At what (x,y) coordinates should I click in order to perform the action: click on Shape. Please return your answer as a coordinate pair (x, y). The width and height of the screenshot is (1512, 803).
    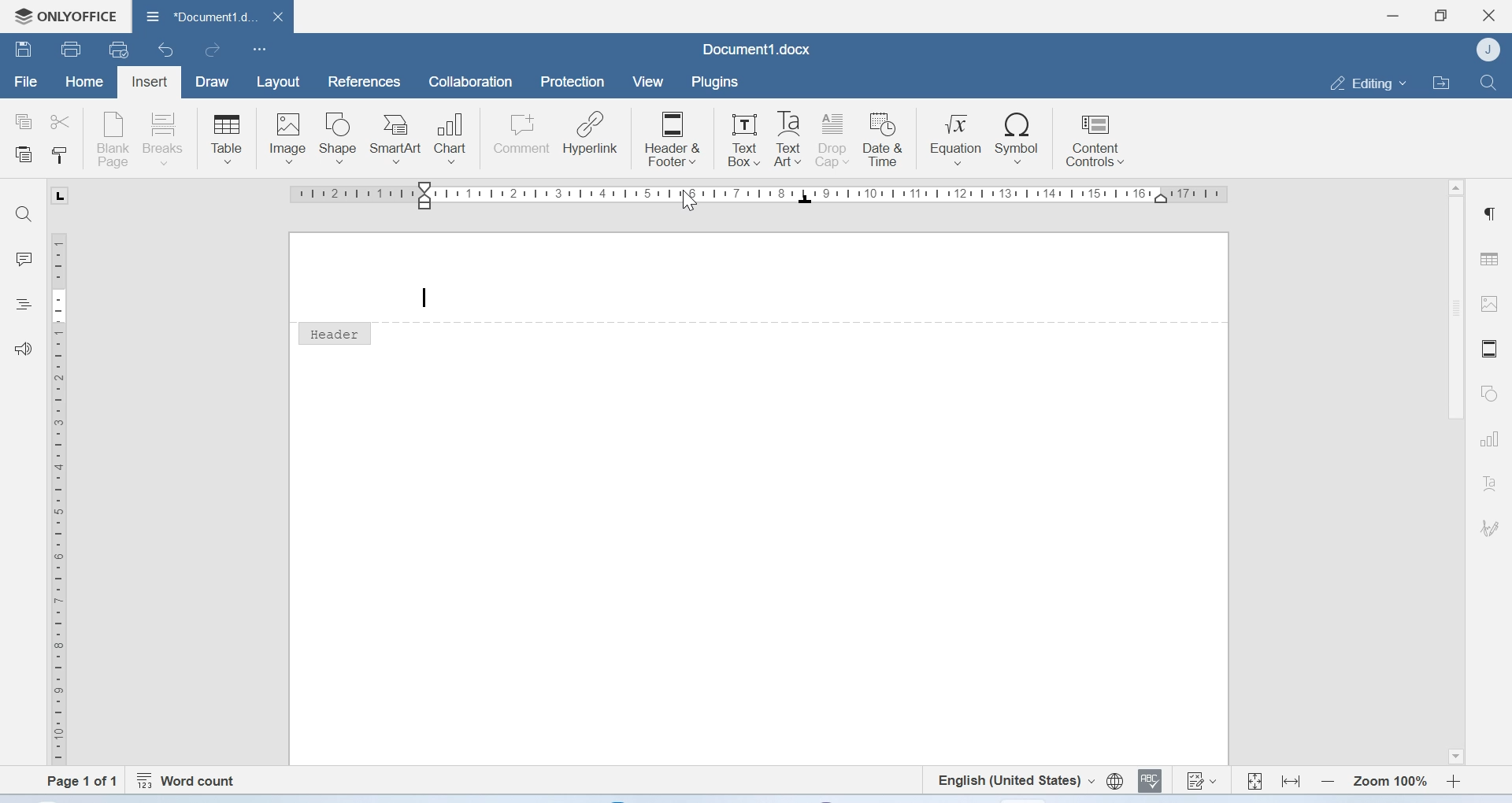
    Looking at the image, I should click on (340, 138).